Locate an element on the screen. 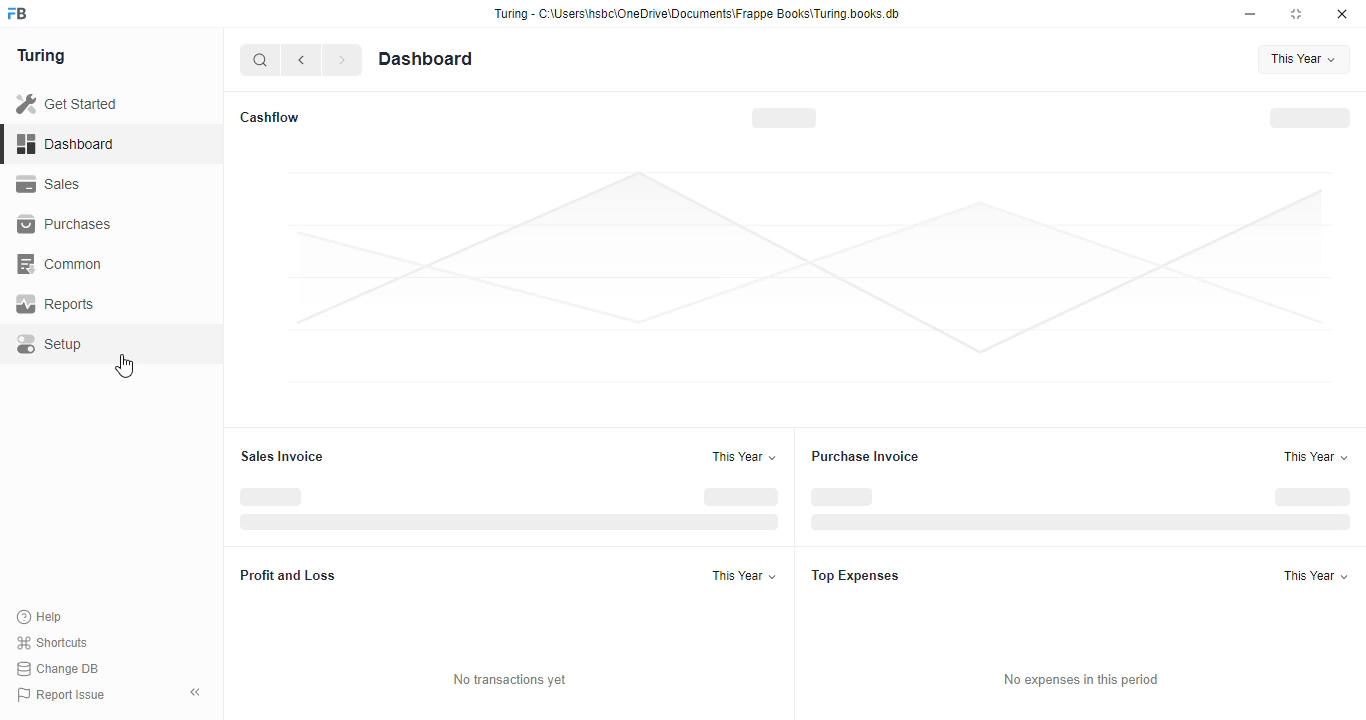 This screenshot has width=1366, height=720. this year is located at coordinates (1305, 59).